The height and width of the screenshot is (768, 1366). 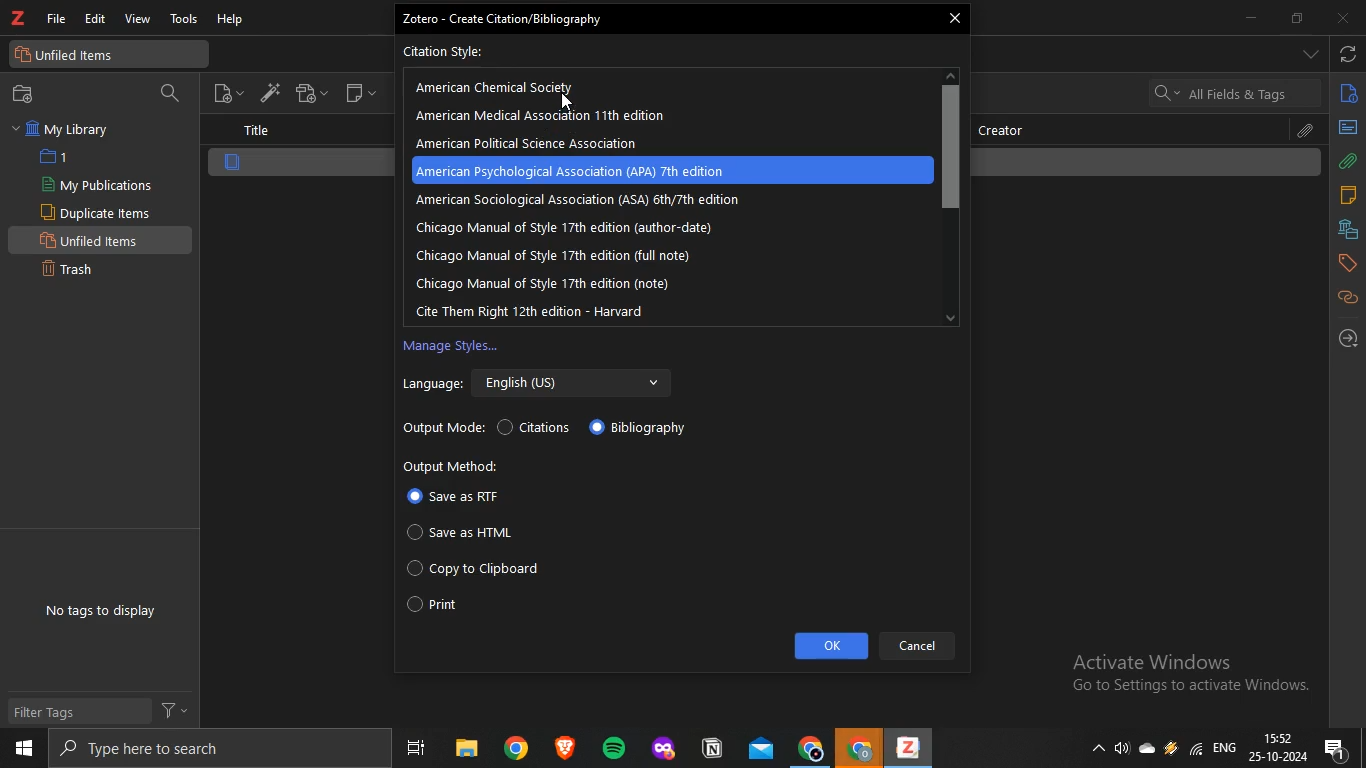 What do you see at coordinates (233, 163) in the screenshot?
I see `item` at bounding box center [233, 163].